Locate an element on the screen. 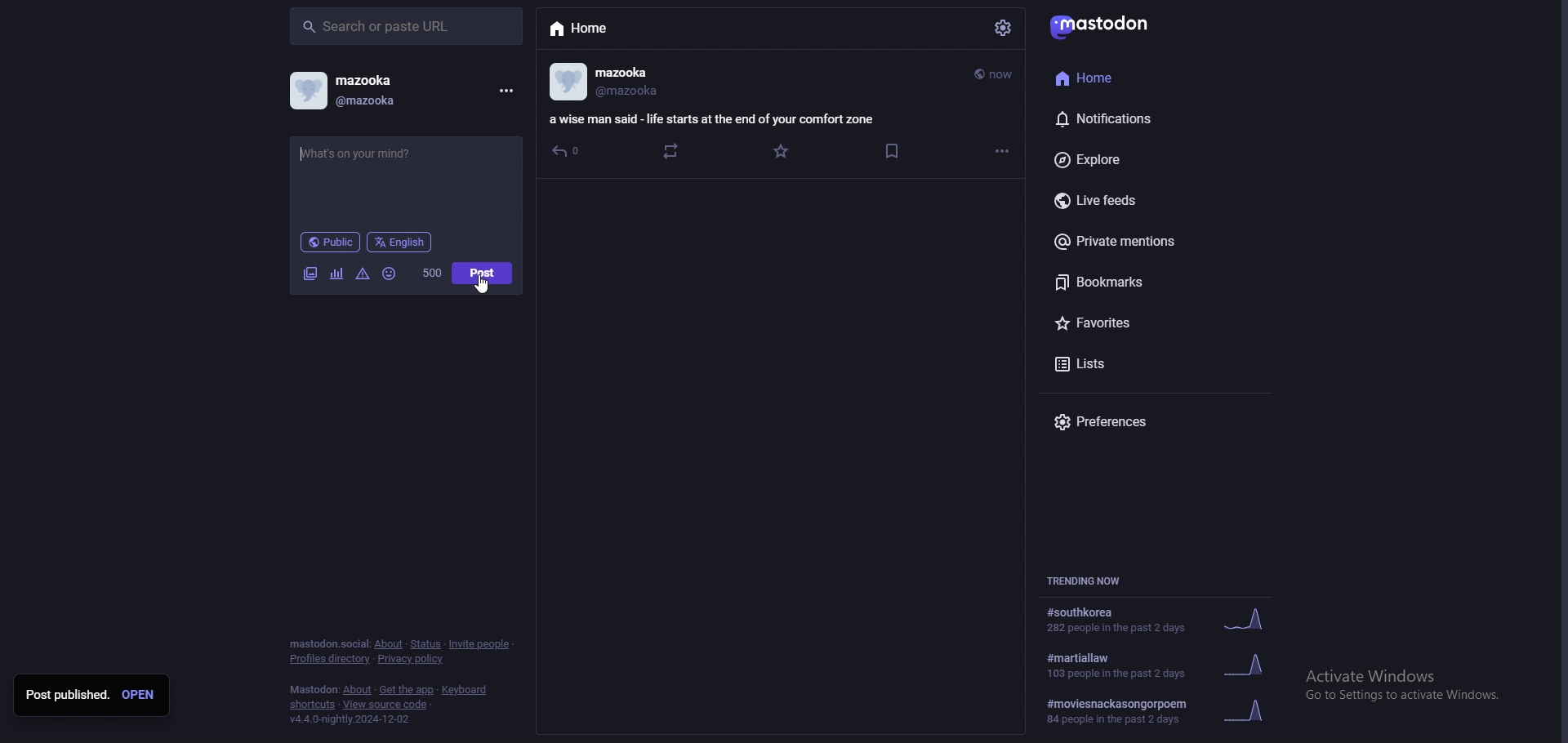 The image size is (1568, 743). trending is located at coordinates (1156, 666).